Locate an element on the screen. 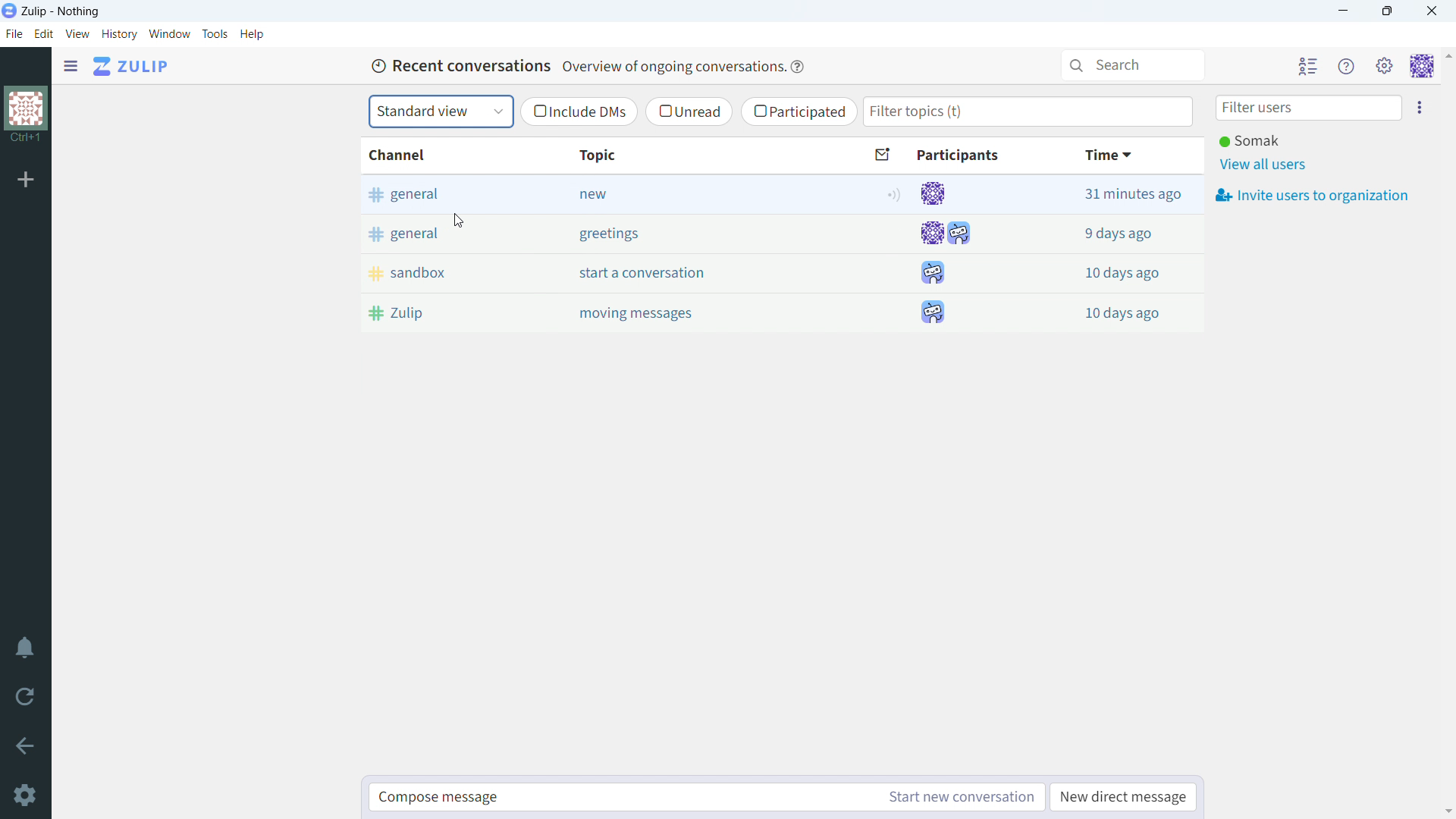 The width and height of the screenshot is (1456, 819). logo is located at coordinates (9, 11).